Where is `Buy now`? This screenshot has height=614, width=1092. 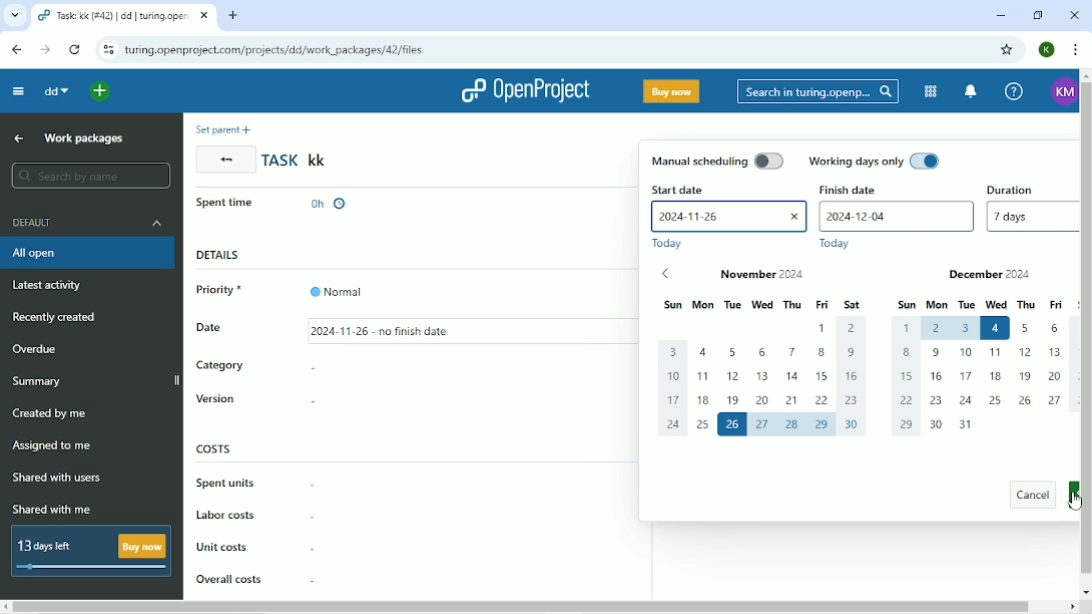 Buy now is located at coordinates (671, 91).